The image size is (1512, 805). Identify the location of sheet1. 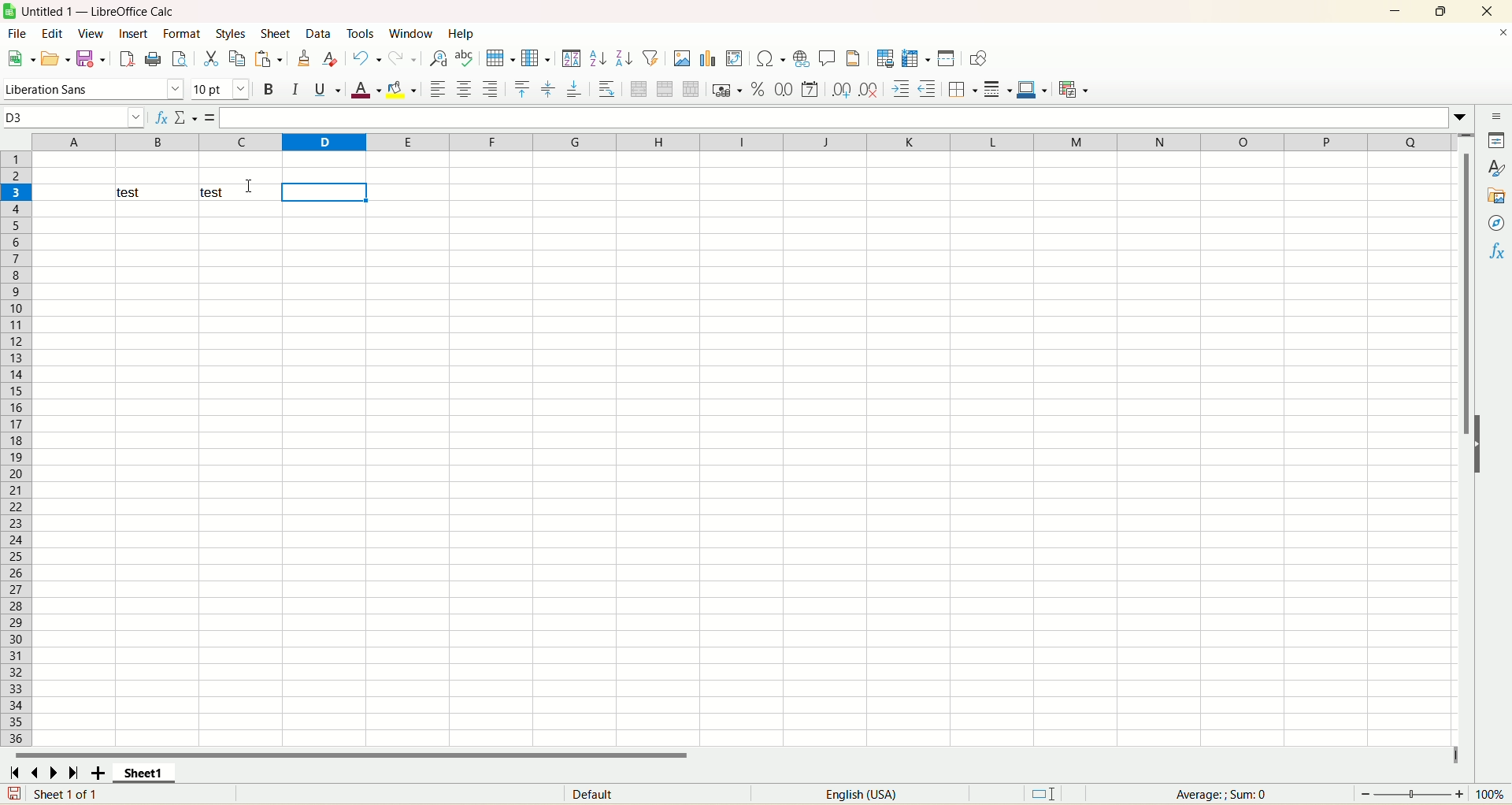
(144, 772).